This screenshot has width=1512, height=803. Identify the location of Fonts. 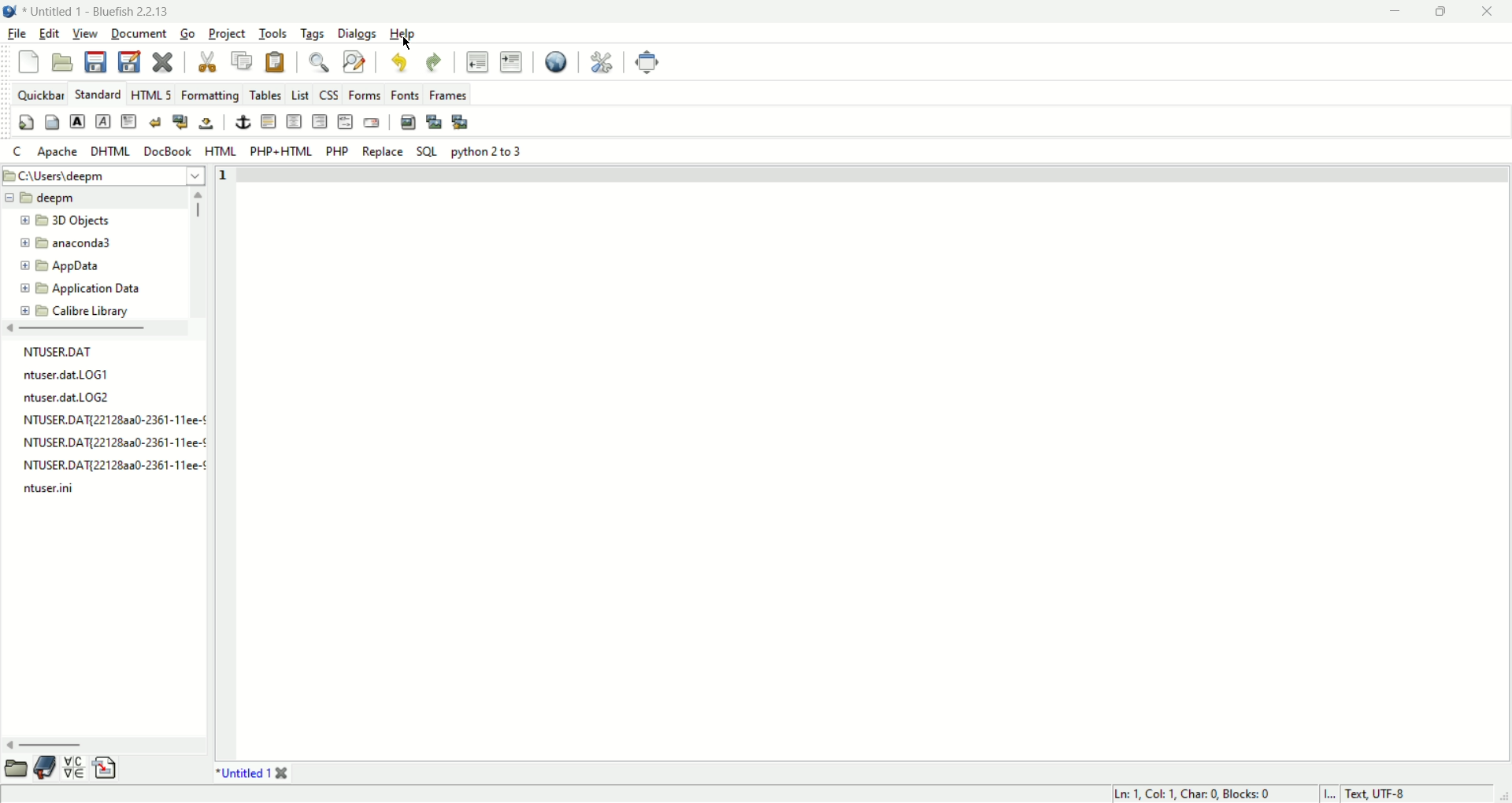
(406, 94).